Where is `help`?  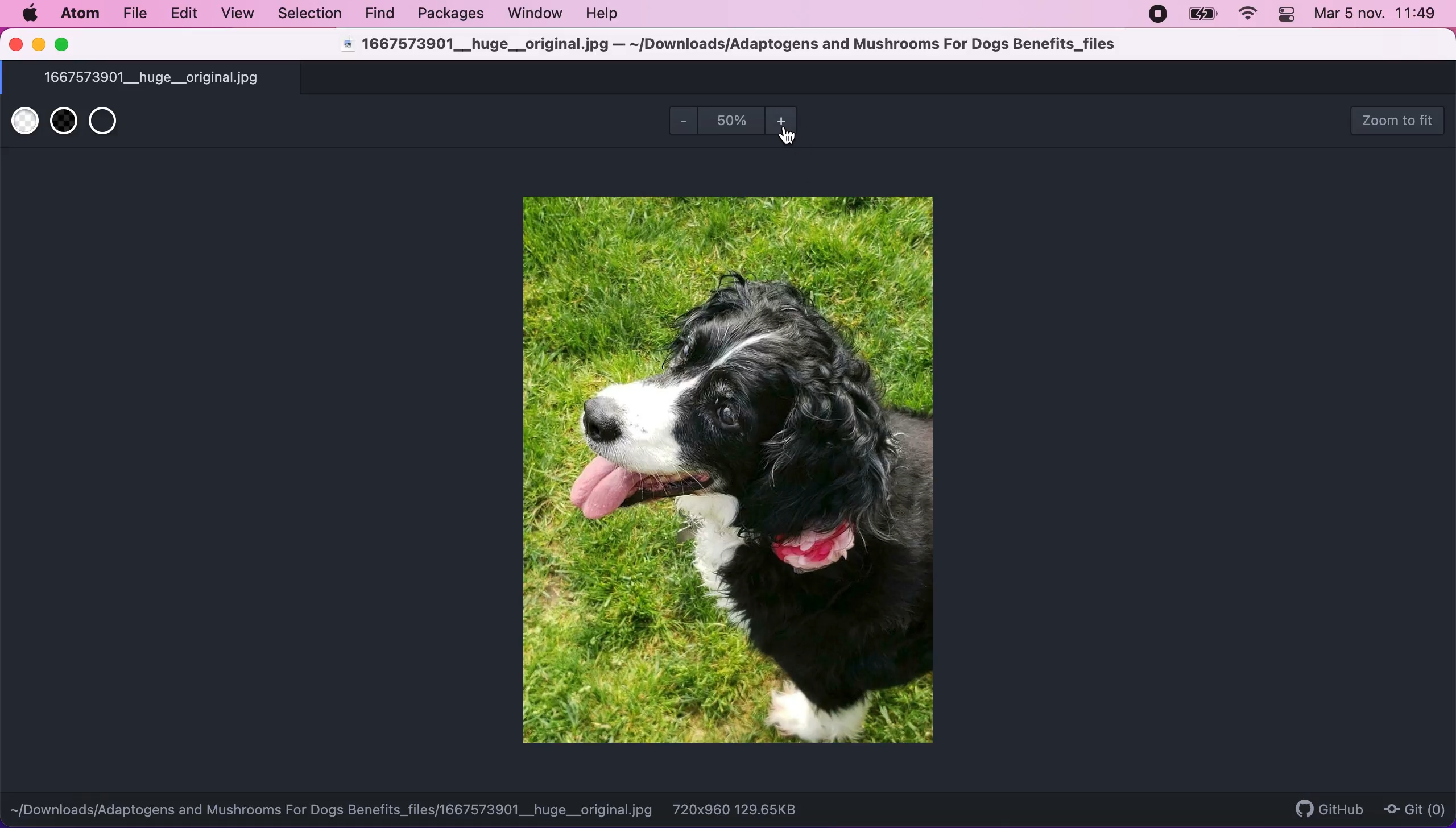
help is located at coordinates (607, 15).